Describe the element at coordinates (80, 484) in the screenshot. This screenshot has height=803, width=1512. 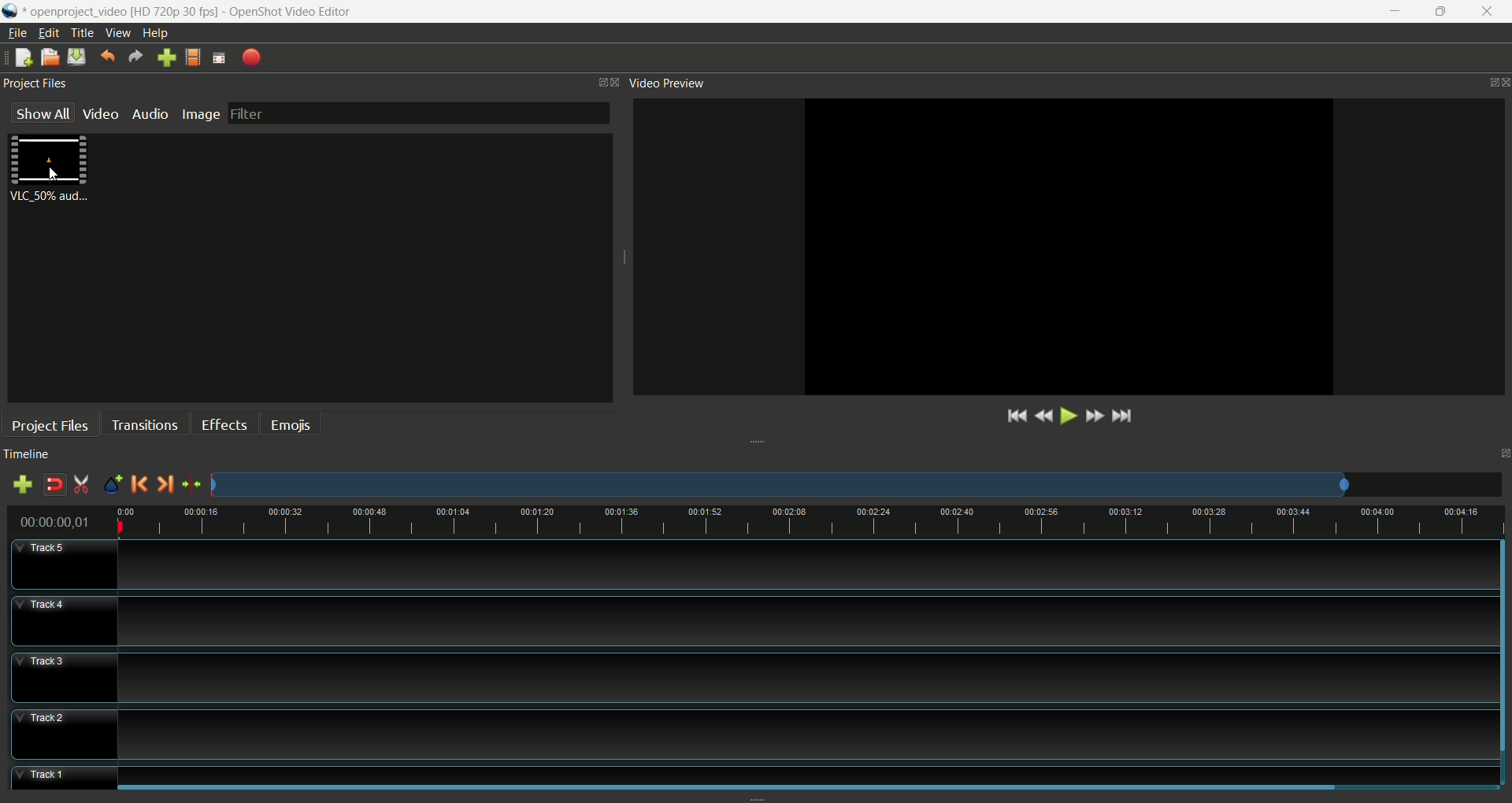
I see `enable razor` at that location.